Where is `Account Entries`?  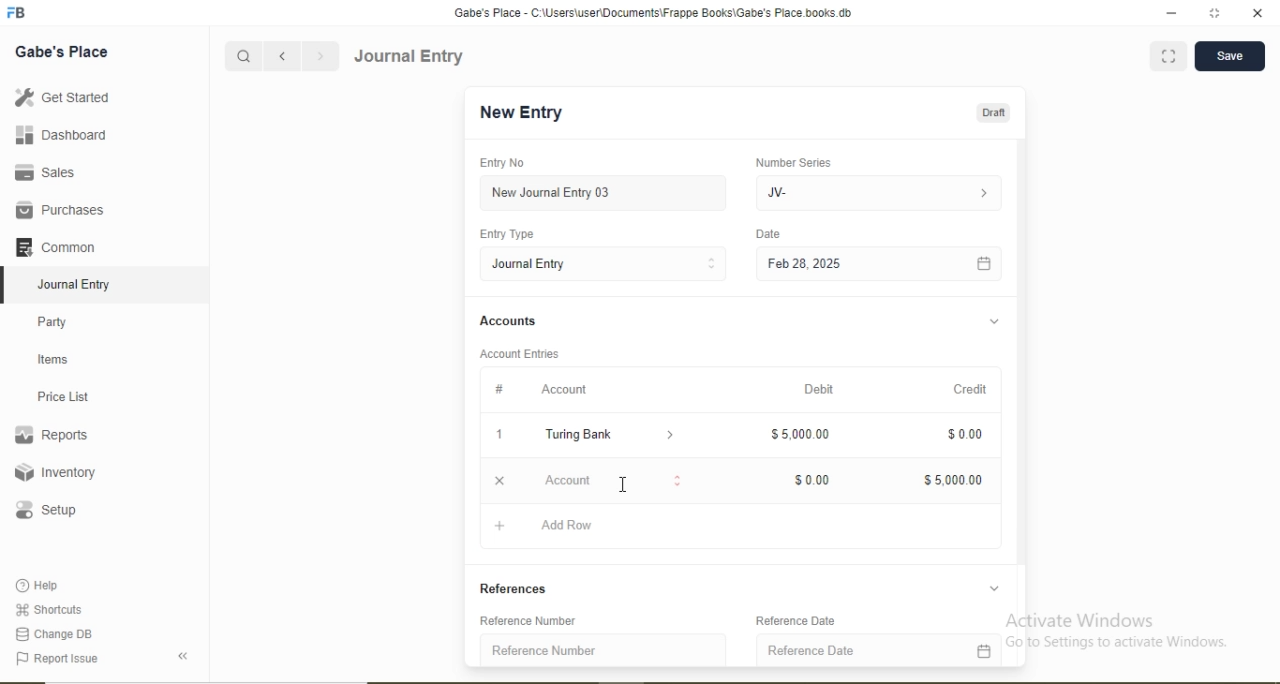 Account Entries is located at coordinates (518, 354).